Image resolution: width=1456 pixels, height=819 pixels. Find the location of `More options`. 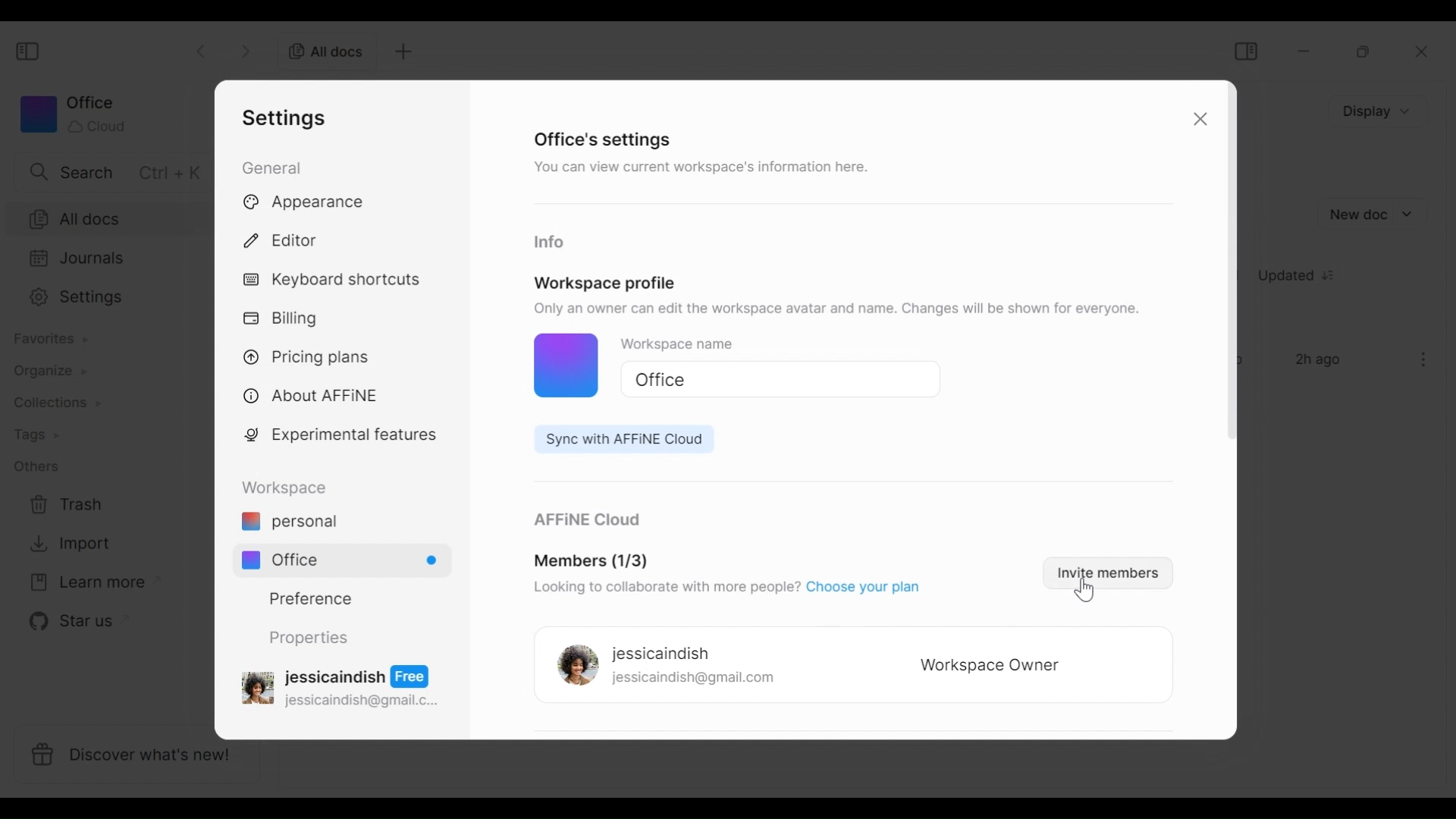

More options is located at coordinates (1424, 359).